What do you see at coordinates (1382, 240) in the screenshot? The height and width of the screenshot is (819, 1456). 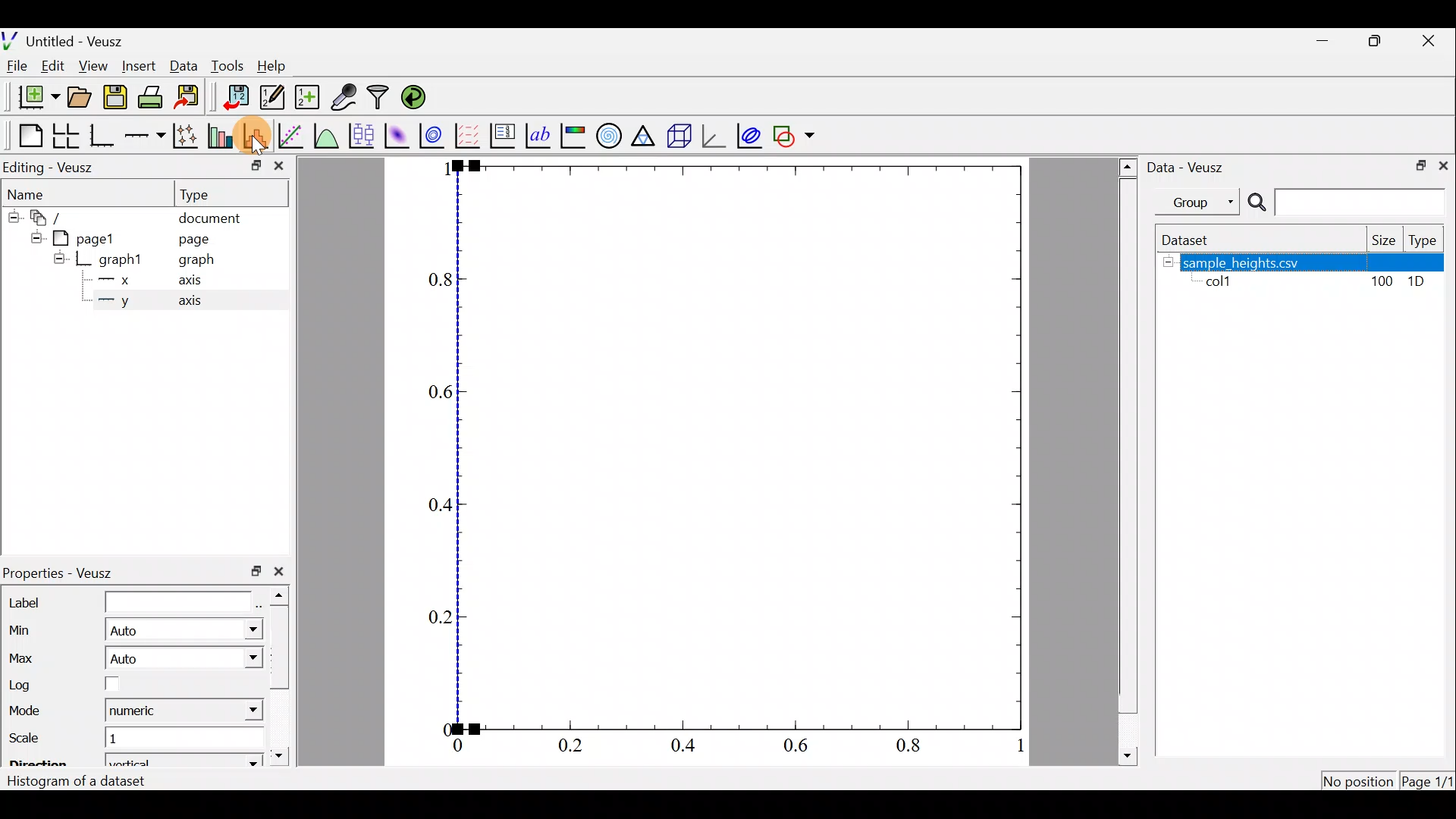 I see `Size` at bounding box center [1382, 240].